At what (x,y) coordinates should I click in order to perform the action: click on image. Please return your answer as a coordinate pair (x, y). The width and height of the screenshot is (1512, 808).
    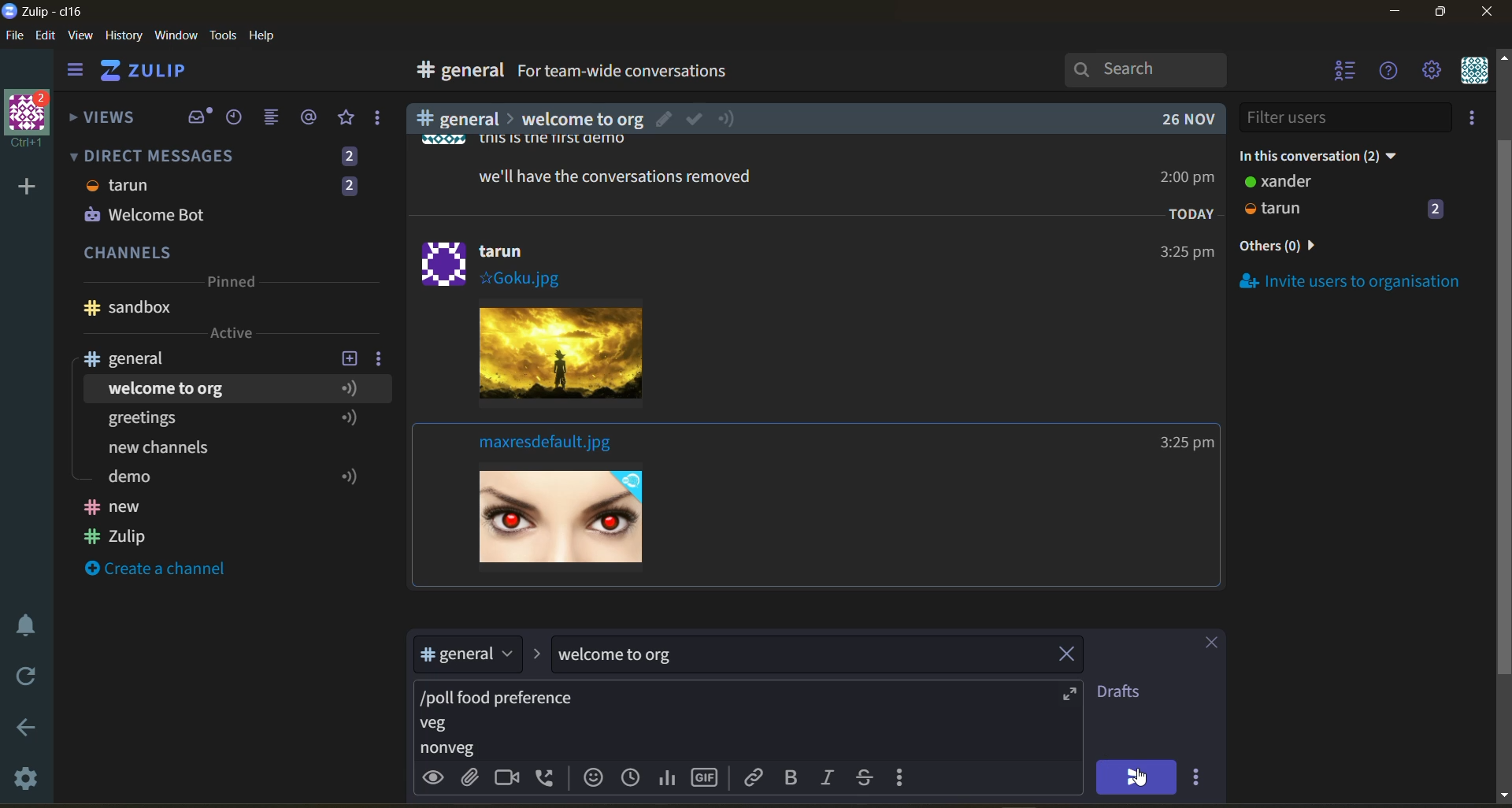
    Looking at the image, I should click on (559, 518).